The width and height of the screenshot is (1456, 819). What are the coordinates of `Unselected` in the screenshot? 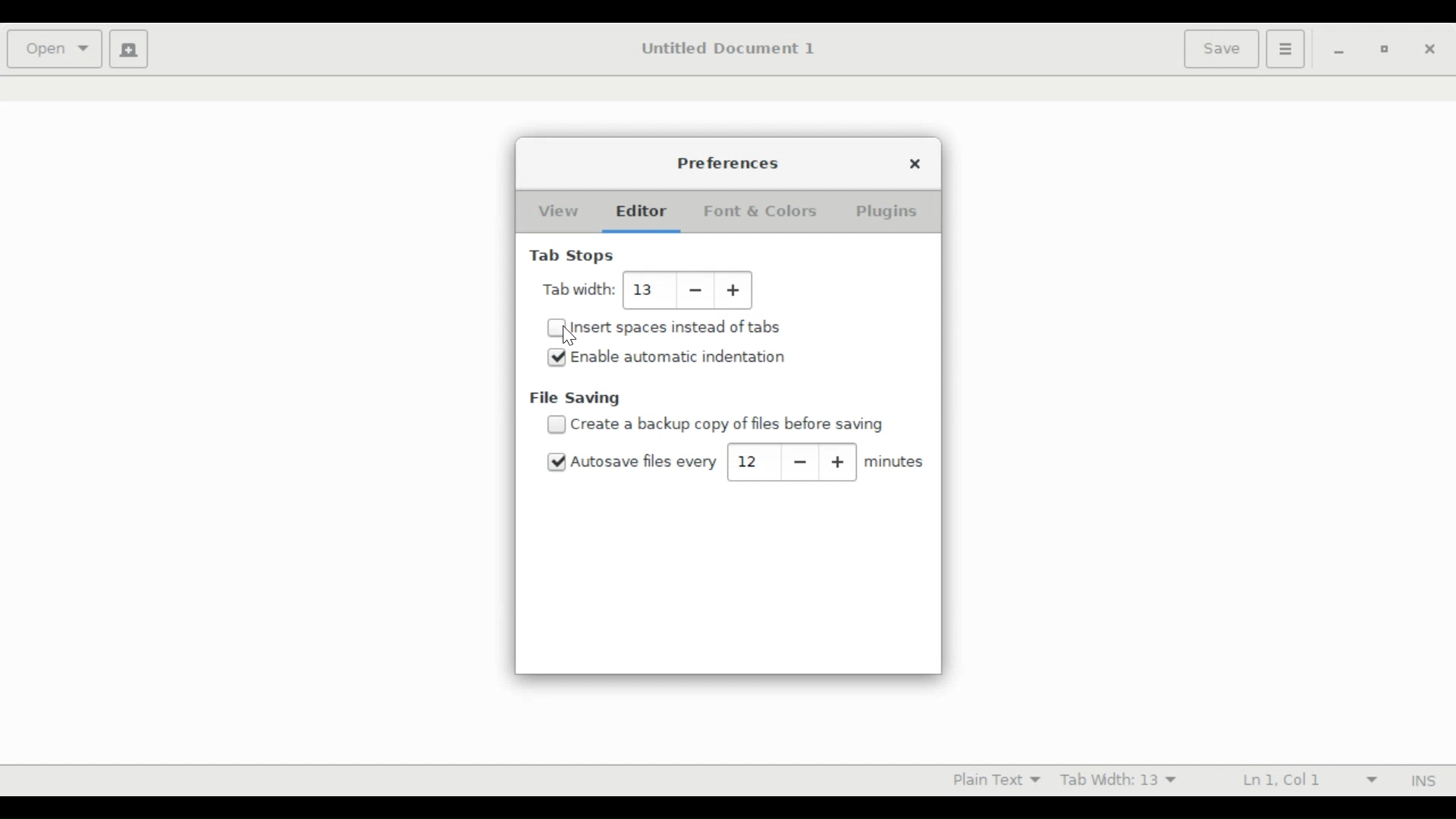 It's located at (556, 425).